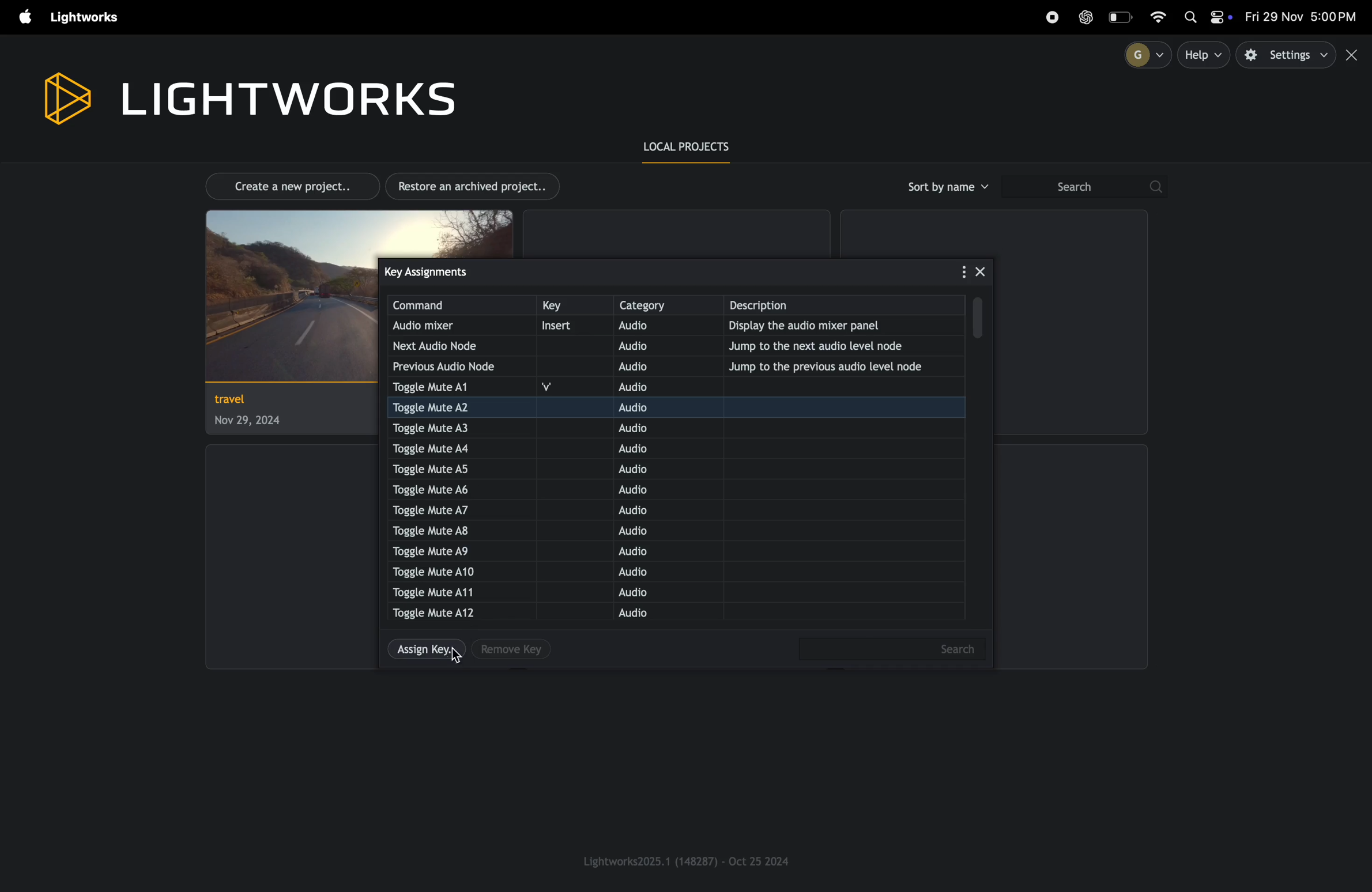  I want to click on sort by name, so click(946, 187).